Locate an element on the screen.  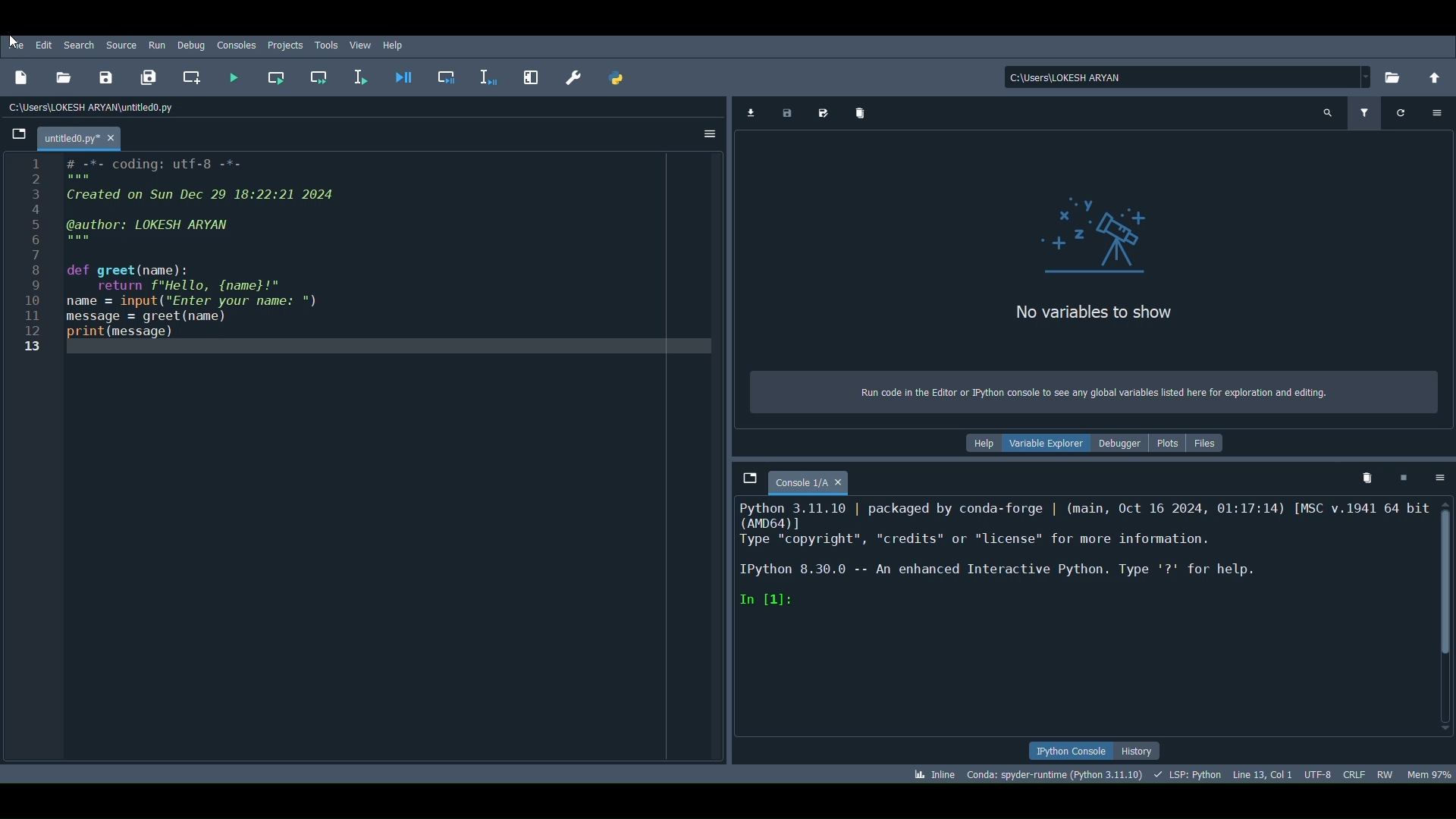
Variable explorer is located at coordinates (1053, 442).